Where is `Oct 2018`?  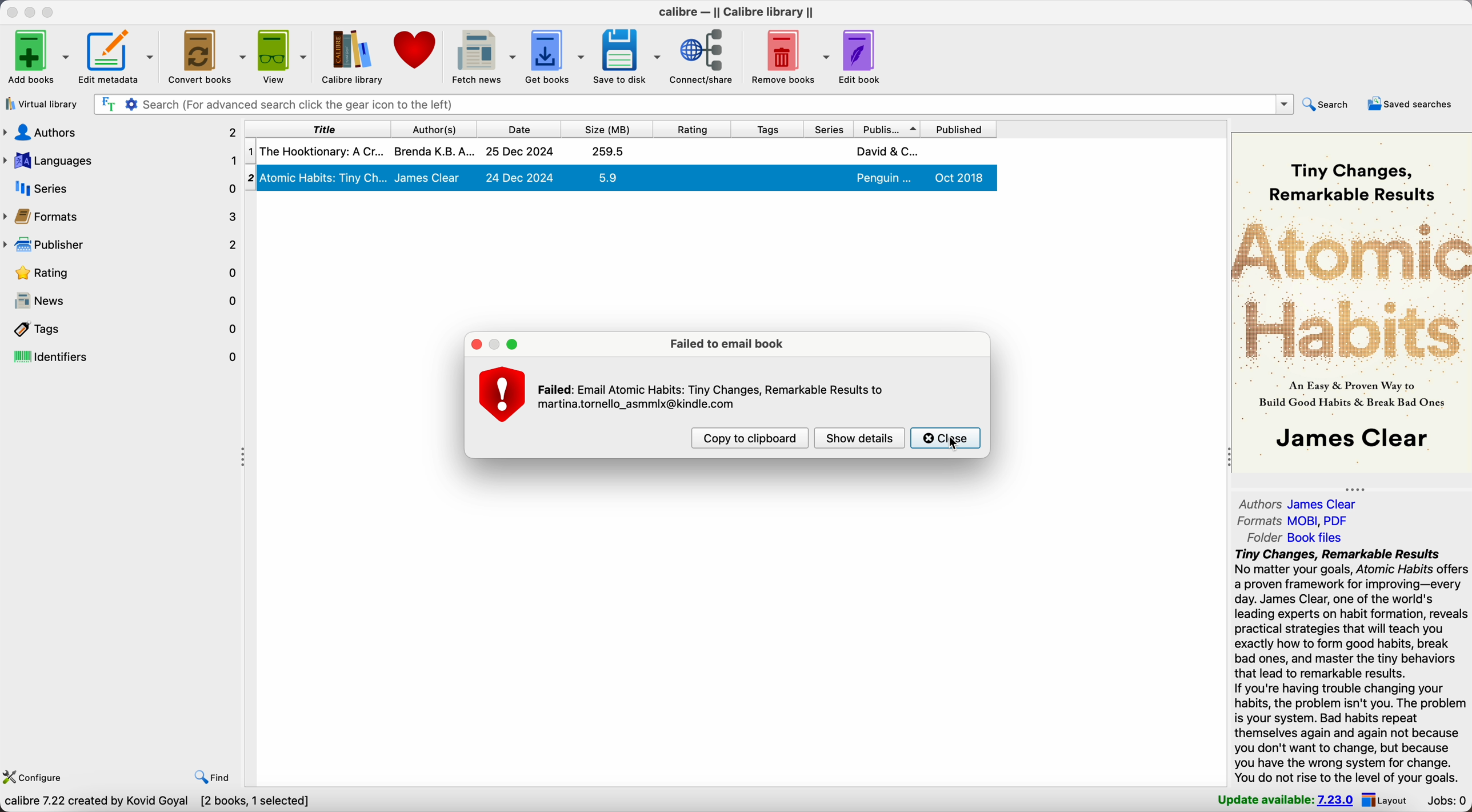 Oct 2018 is located at coordinates (961, 177).